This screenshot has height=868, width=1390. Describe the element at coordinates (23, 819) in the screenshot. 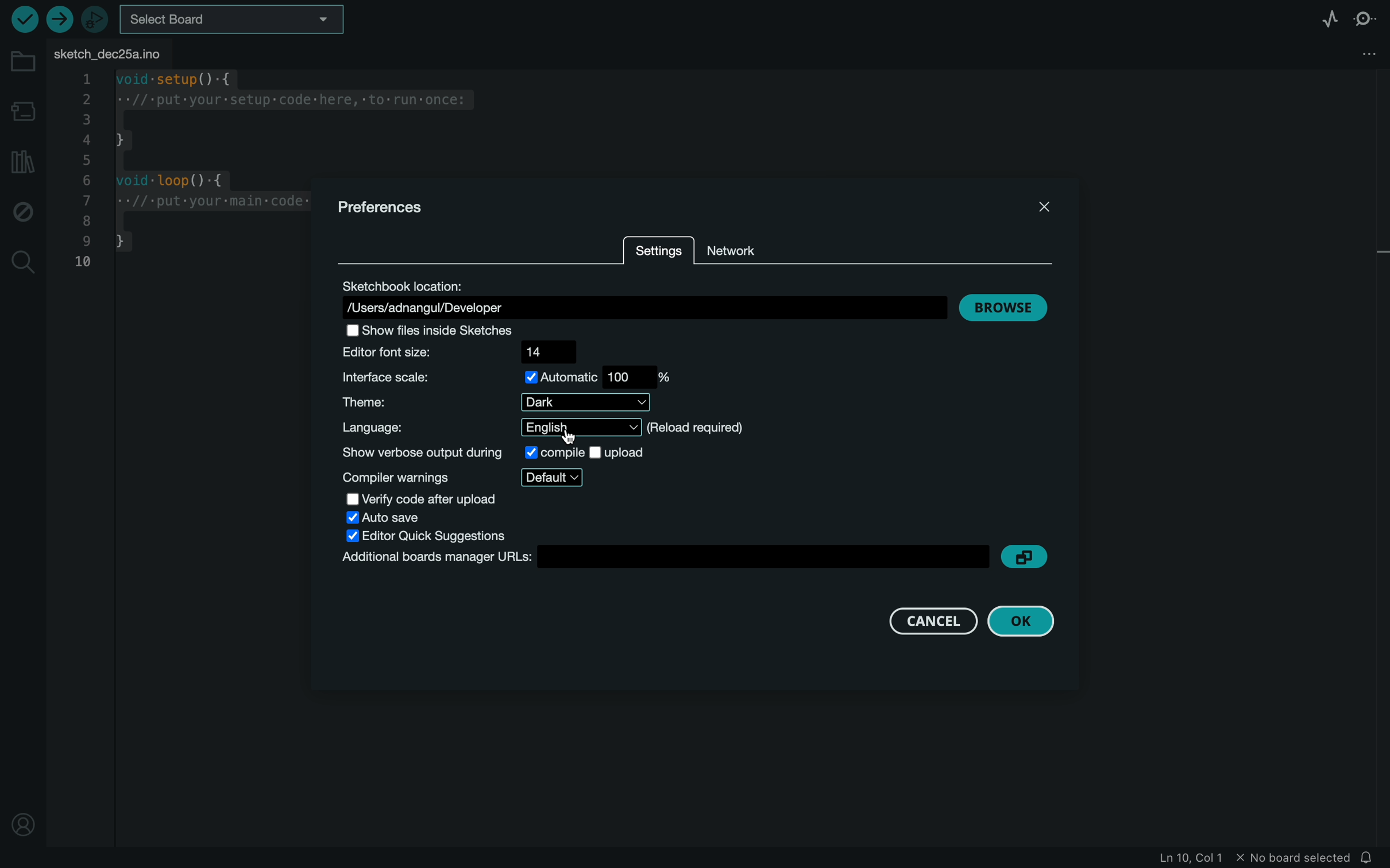

I see `profile` at that location.